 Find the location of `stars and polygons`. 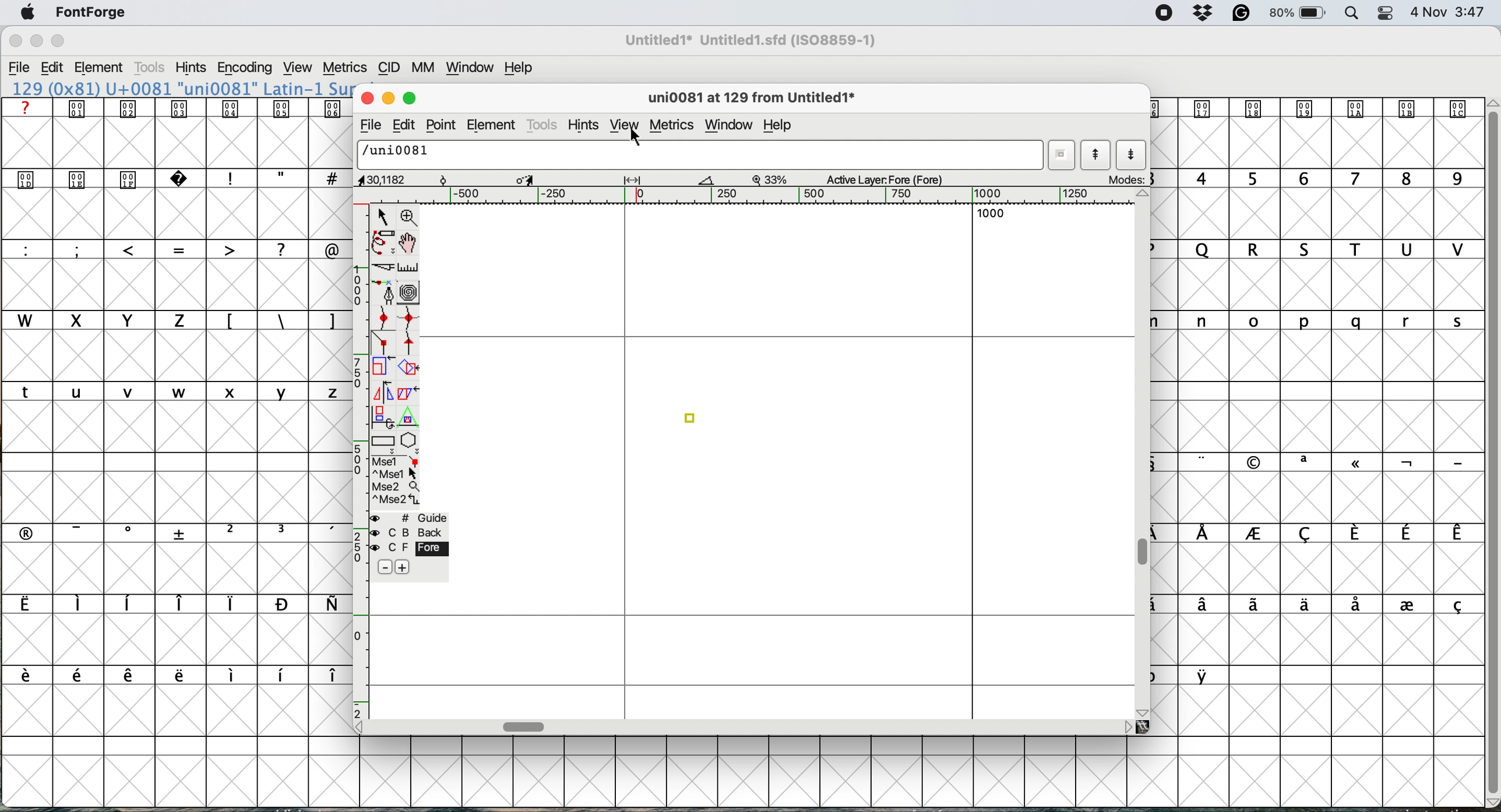

stars and polygons is located at coordinates (411, 443).